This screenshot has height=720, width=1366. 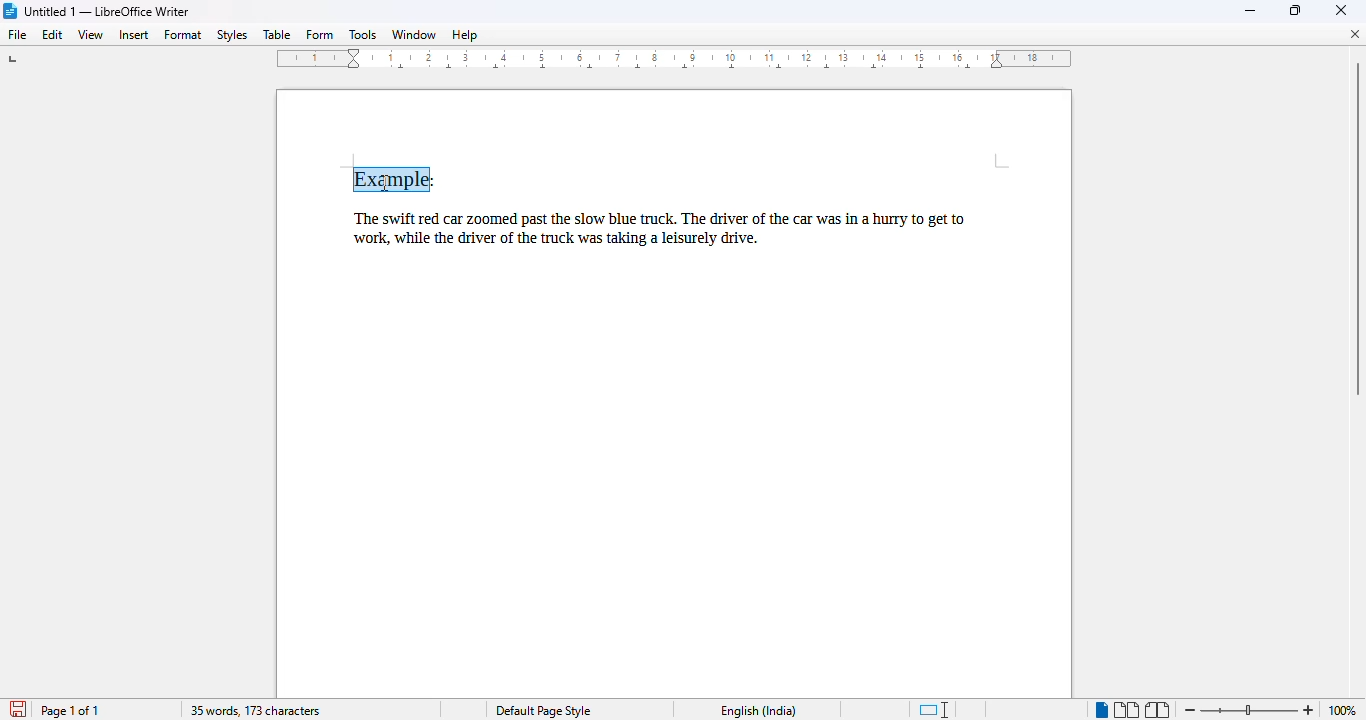 I want to click on 35 words, 173 characters, so click(x=255, y=711).